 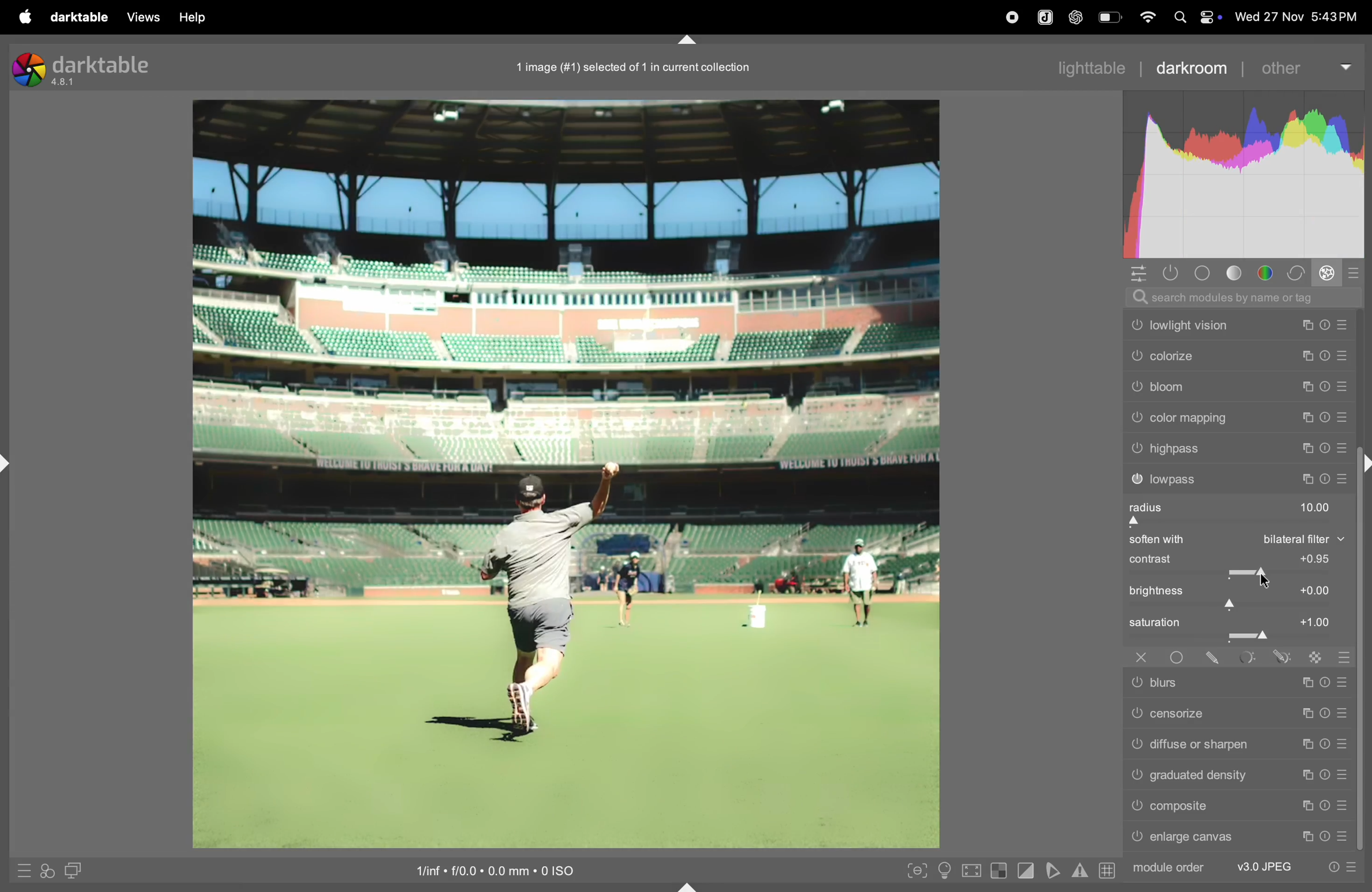 What do you see at coordinates (1044, 16) in the screenshot?
I see `joplin` at bounding box center [1044, 16].